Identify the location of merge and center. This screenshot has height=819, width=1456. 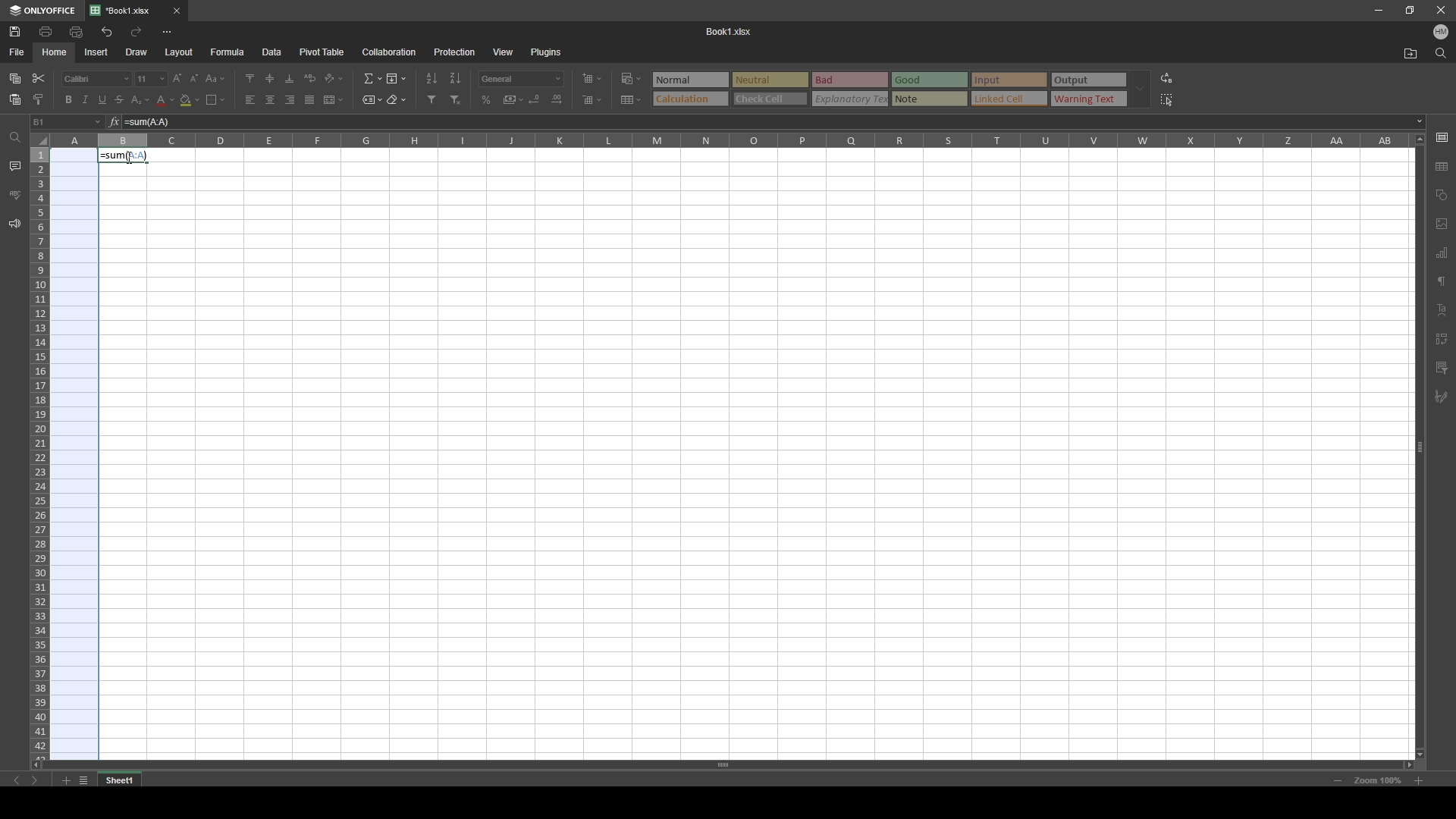
(333, 99).